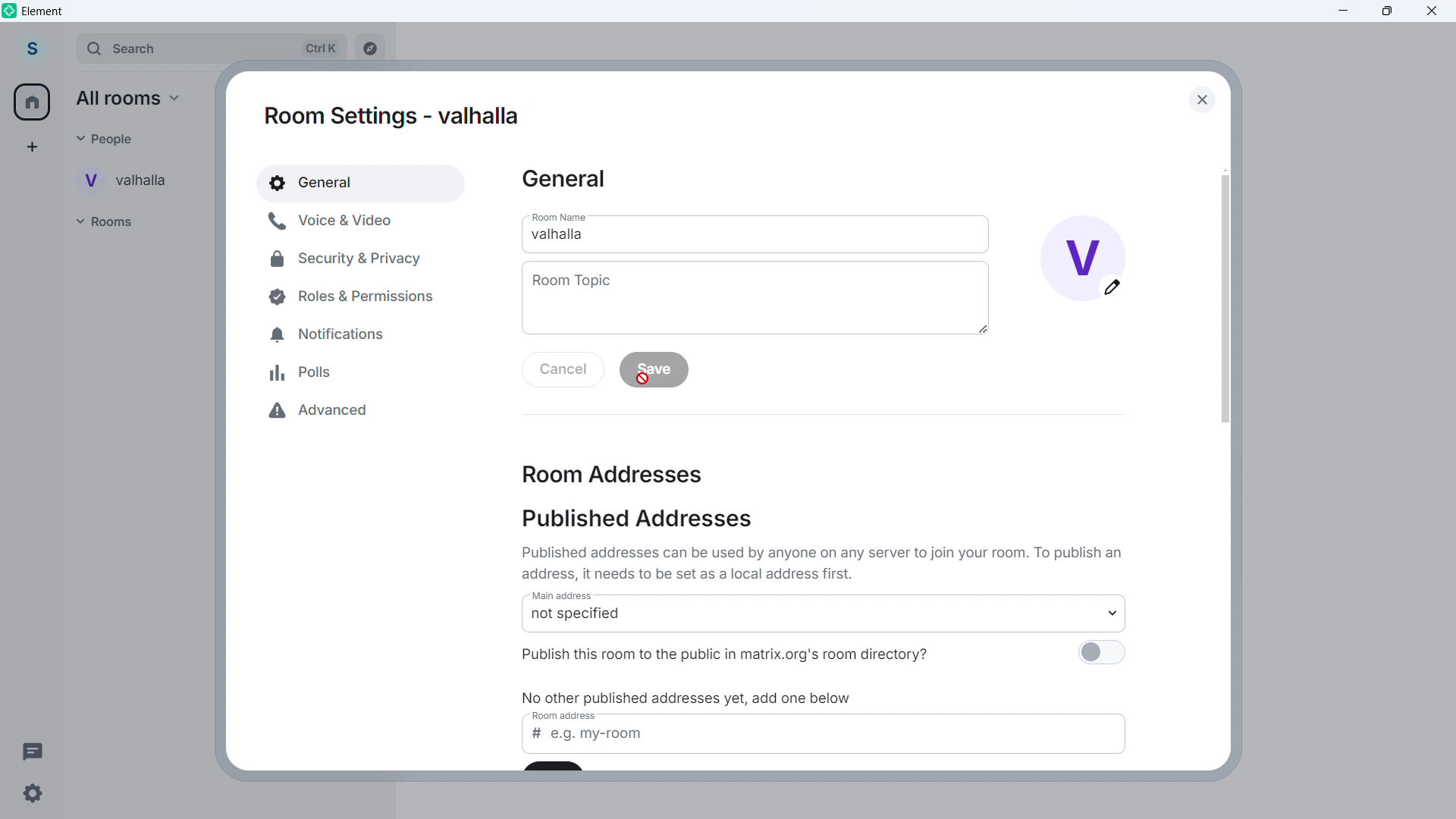  Describe the element at coordinates (349, 220) in the screenshot. I see `Voice and video ` at that location.